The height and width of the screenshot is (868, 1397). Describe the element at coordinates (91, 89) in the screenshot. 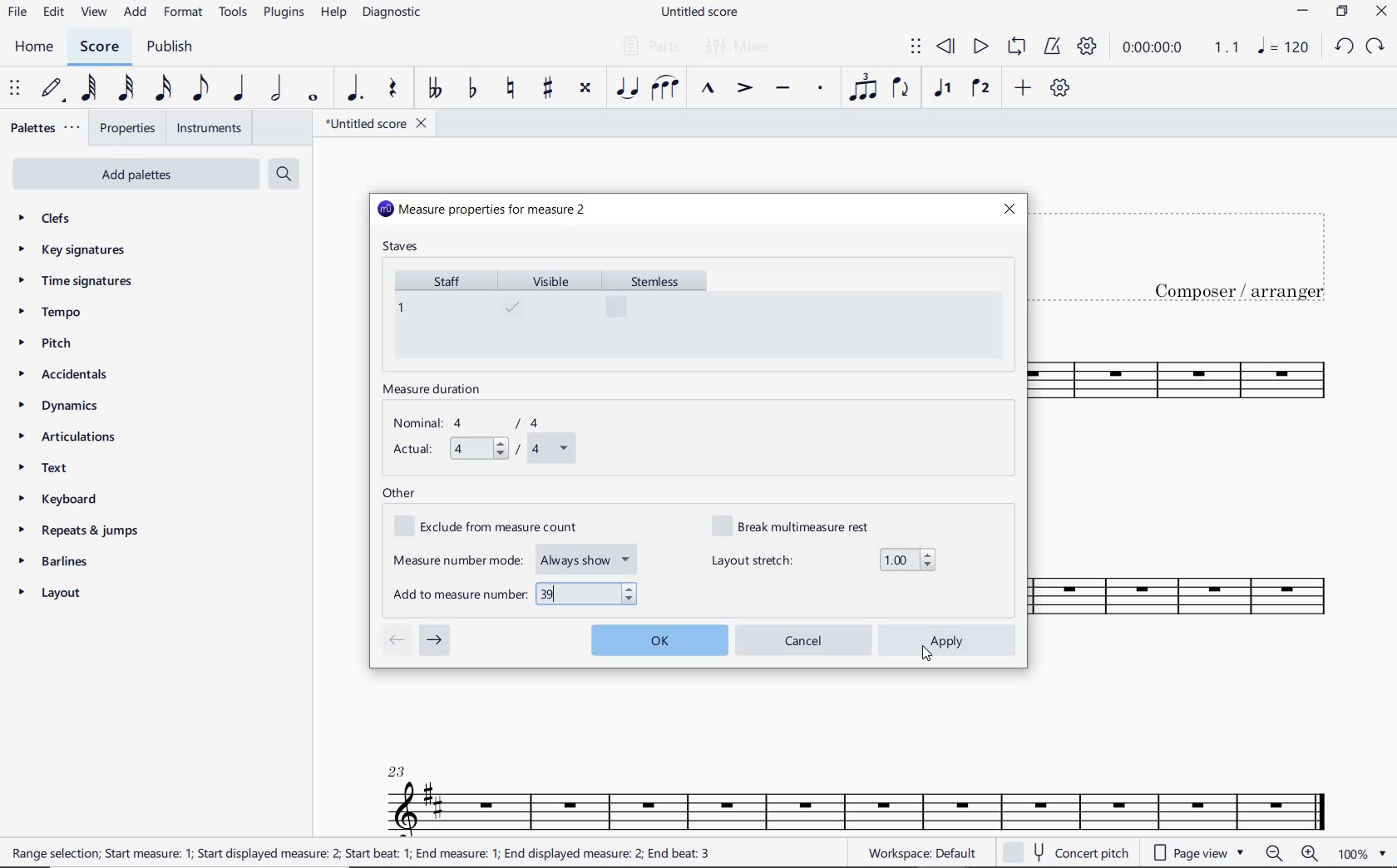

I see `64TH NOTE` at that location.